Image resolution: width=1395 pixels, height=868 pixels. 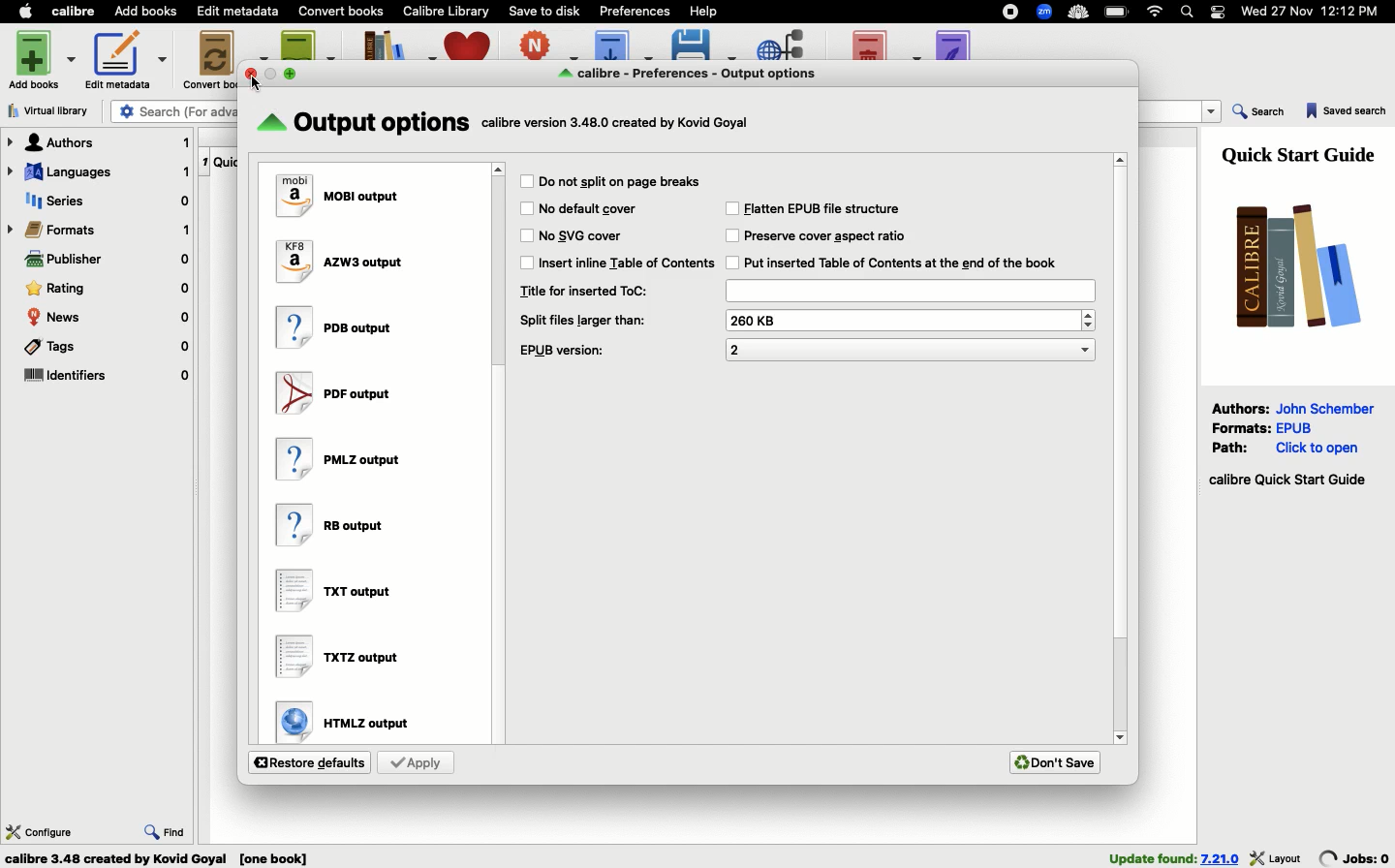 I want to click on Checkbox, so click(x=526, y=208).